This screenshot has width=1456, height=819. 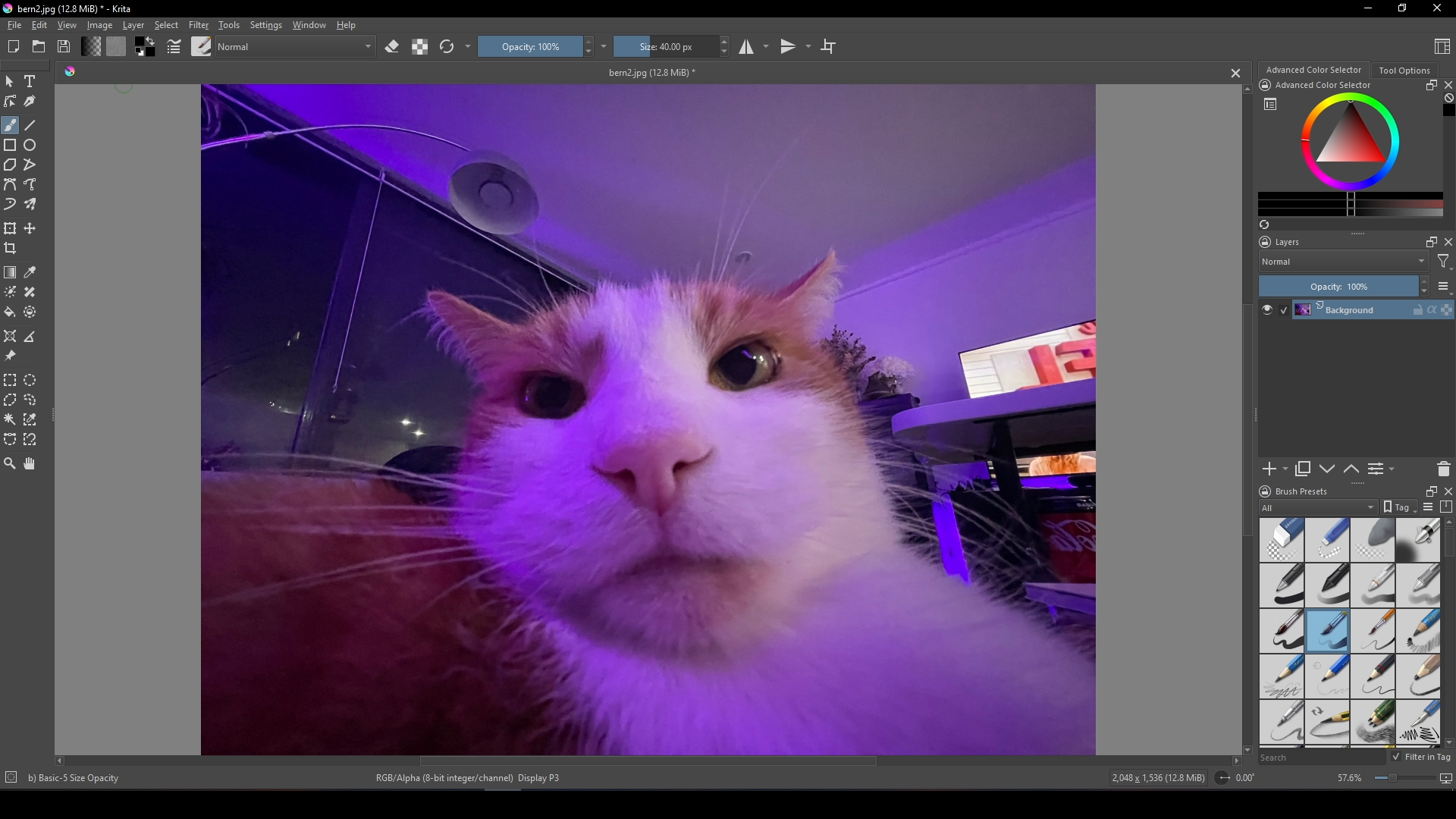 I want to click on Docket lock, so click(x=1266, y=241).